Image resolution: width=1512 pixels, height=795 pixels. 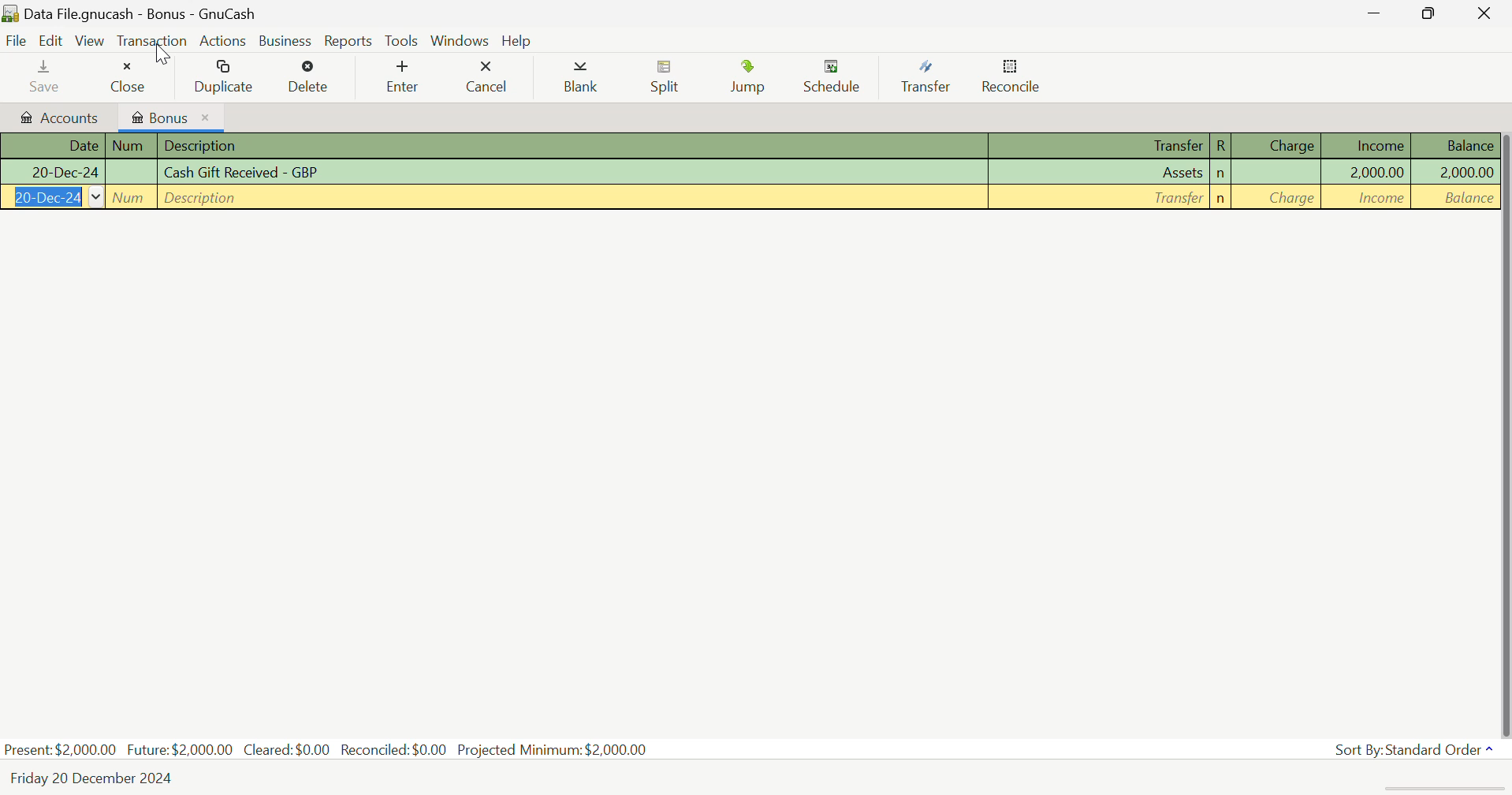 What do you see at coordinates (222, 40) in the screenshot?
I see `Actions` at bounding box center [222, 40].